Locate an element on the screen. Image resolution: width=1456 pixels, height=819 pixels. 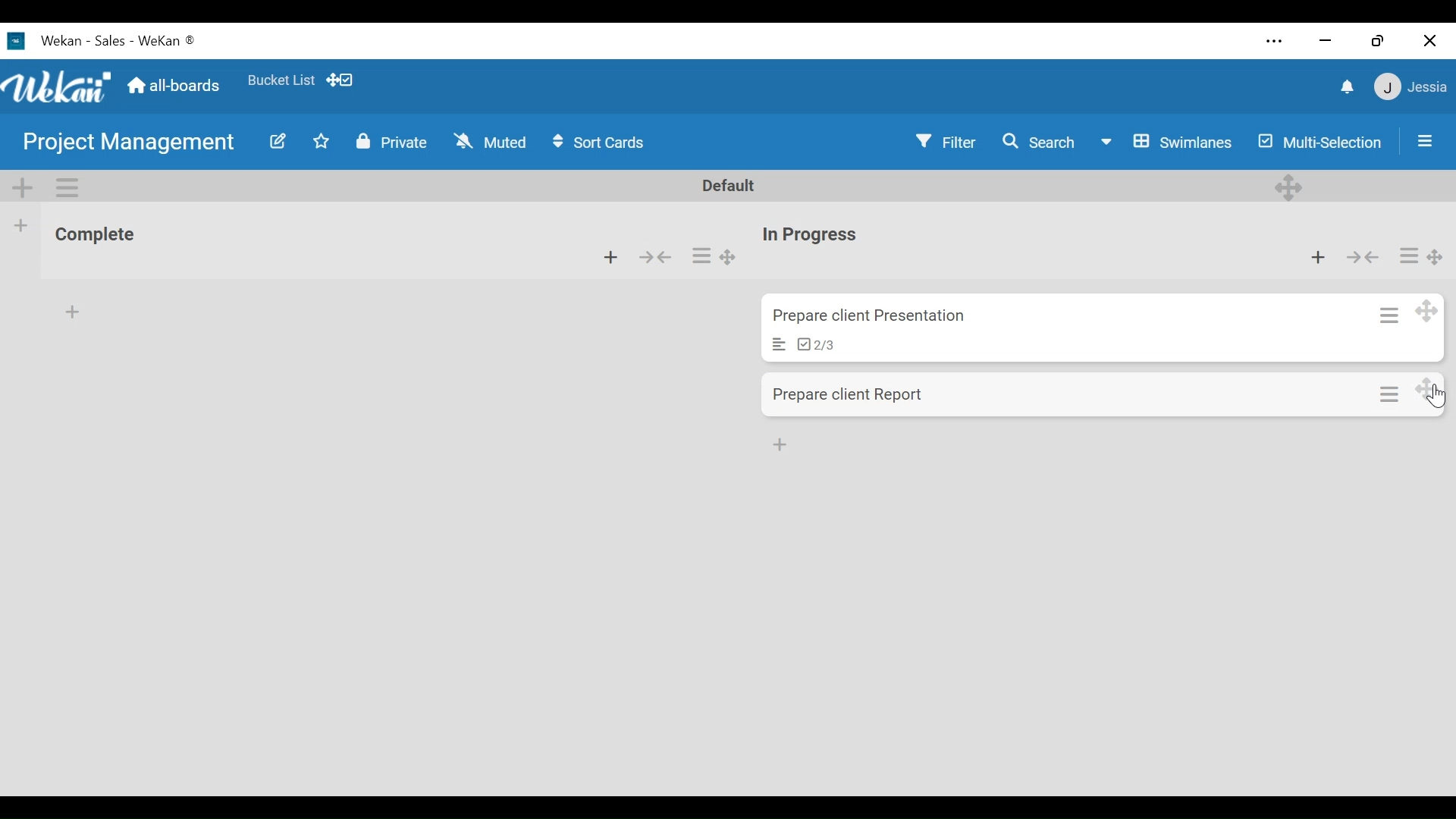
Checklist is located at coordinates (820, 344).